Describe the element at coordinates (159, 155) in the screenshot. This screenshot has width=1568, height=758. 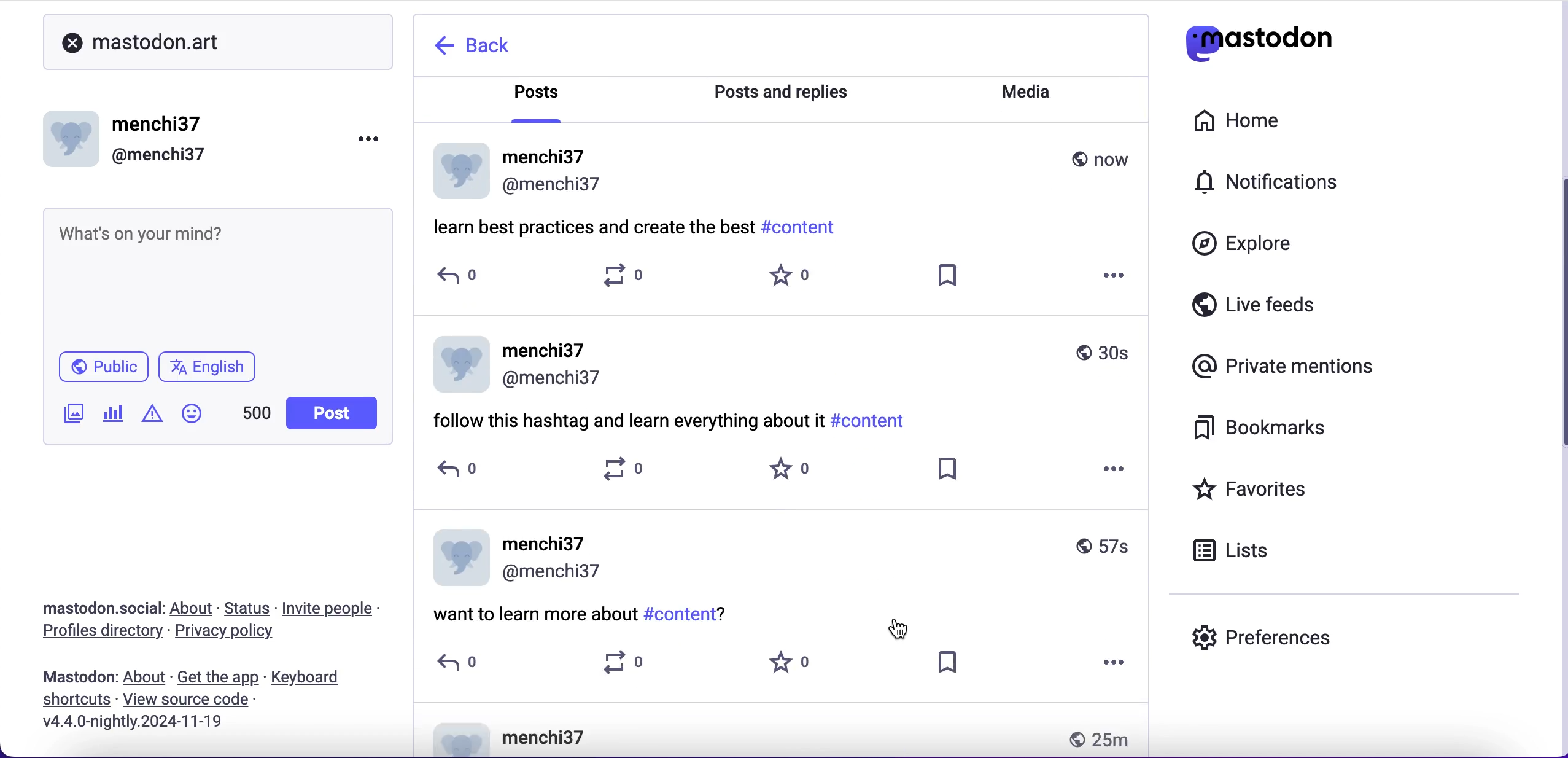
I see `@menchi37` at that location.